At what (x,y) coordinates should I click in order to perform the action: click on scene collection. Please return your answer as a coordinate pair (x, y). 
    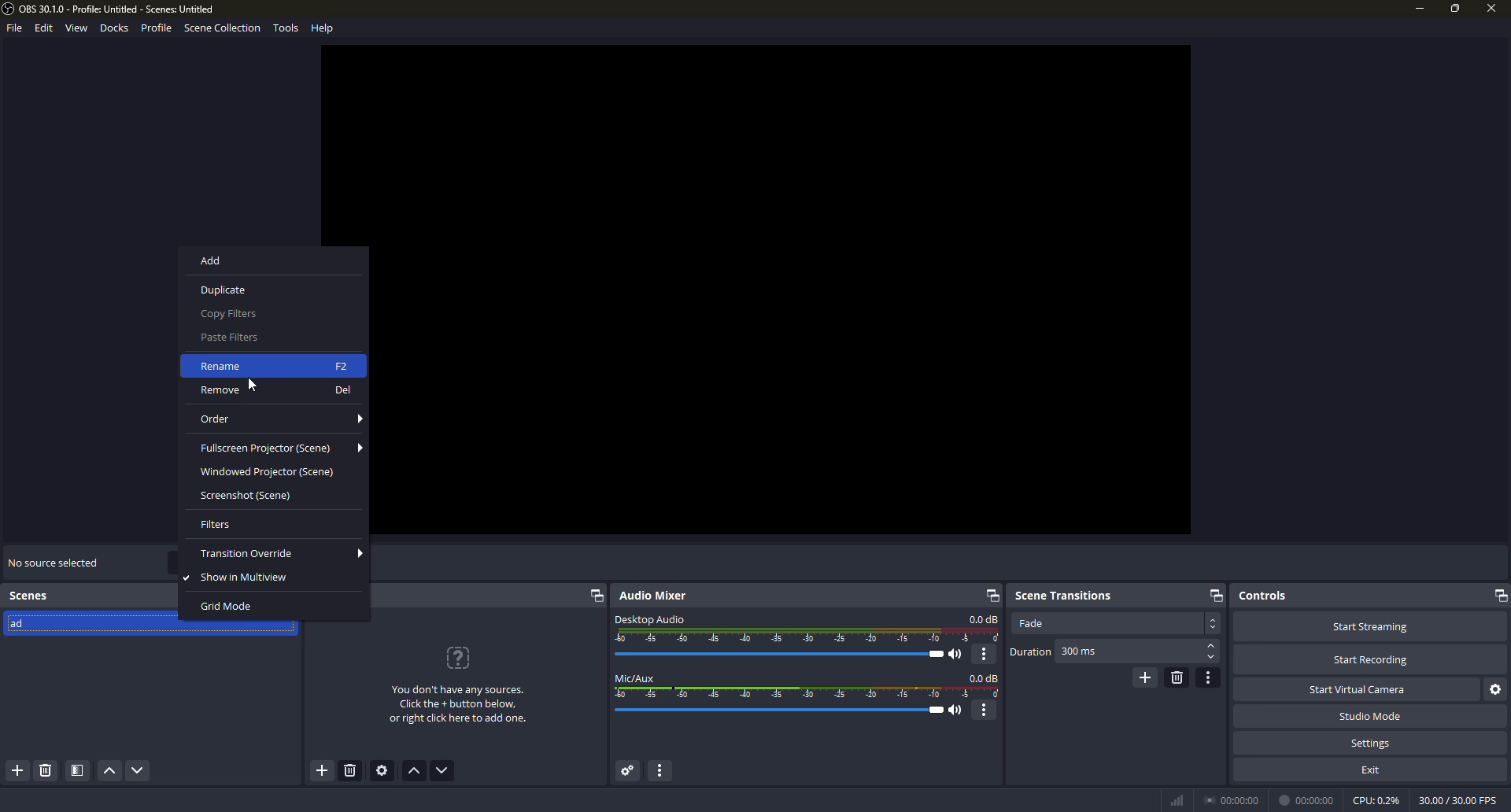
    Looking at the image, I should click on (222, 30).